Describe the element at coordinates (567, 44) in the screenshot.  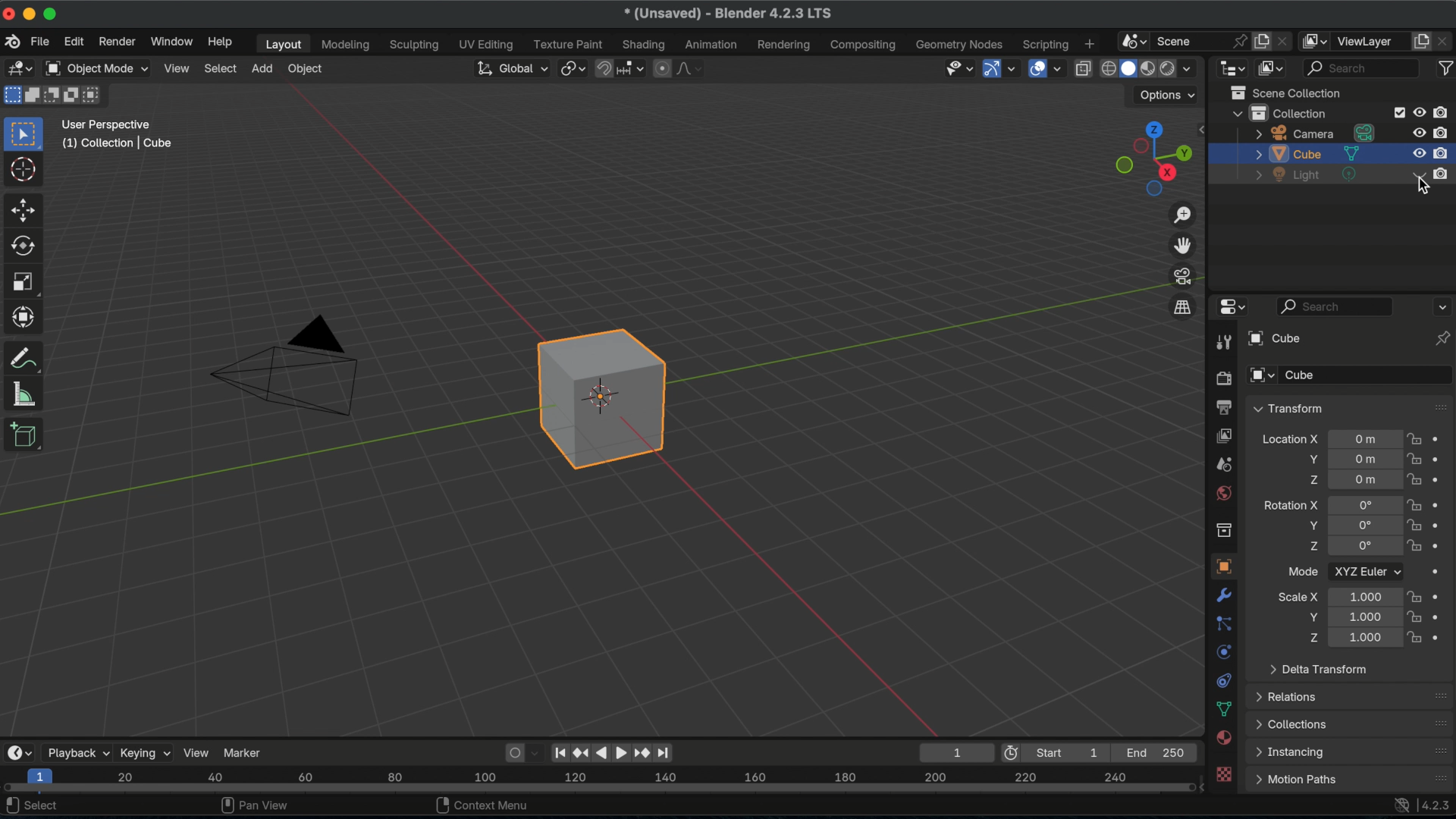
I see `texture paint` at that location.